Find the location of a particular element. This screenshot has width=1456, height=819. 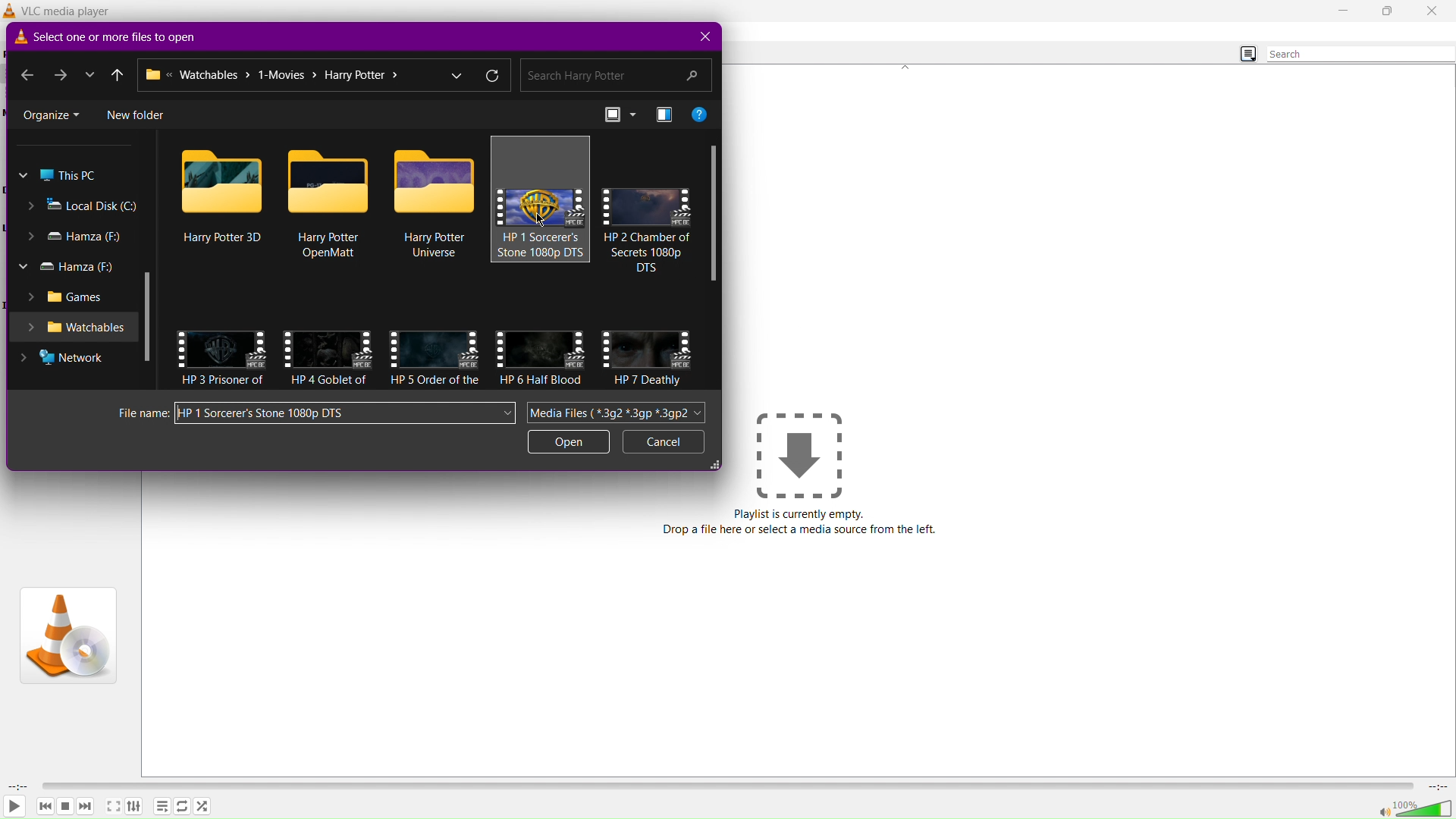

Playlist is currently empty. is located at coordinates (800, 514).